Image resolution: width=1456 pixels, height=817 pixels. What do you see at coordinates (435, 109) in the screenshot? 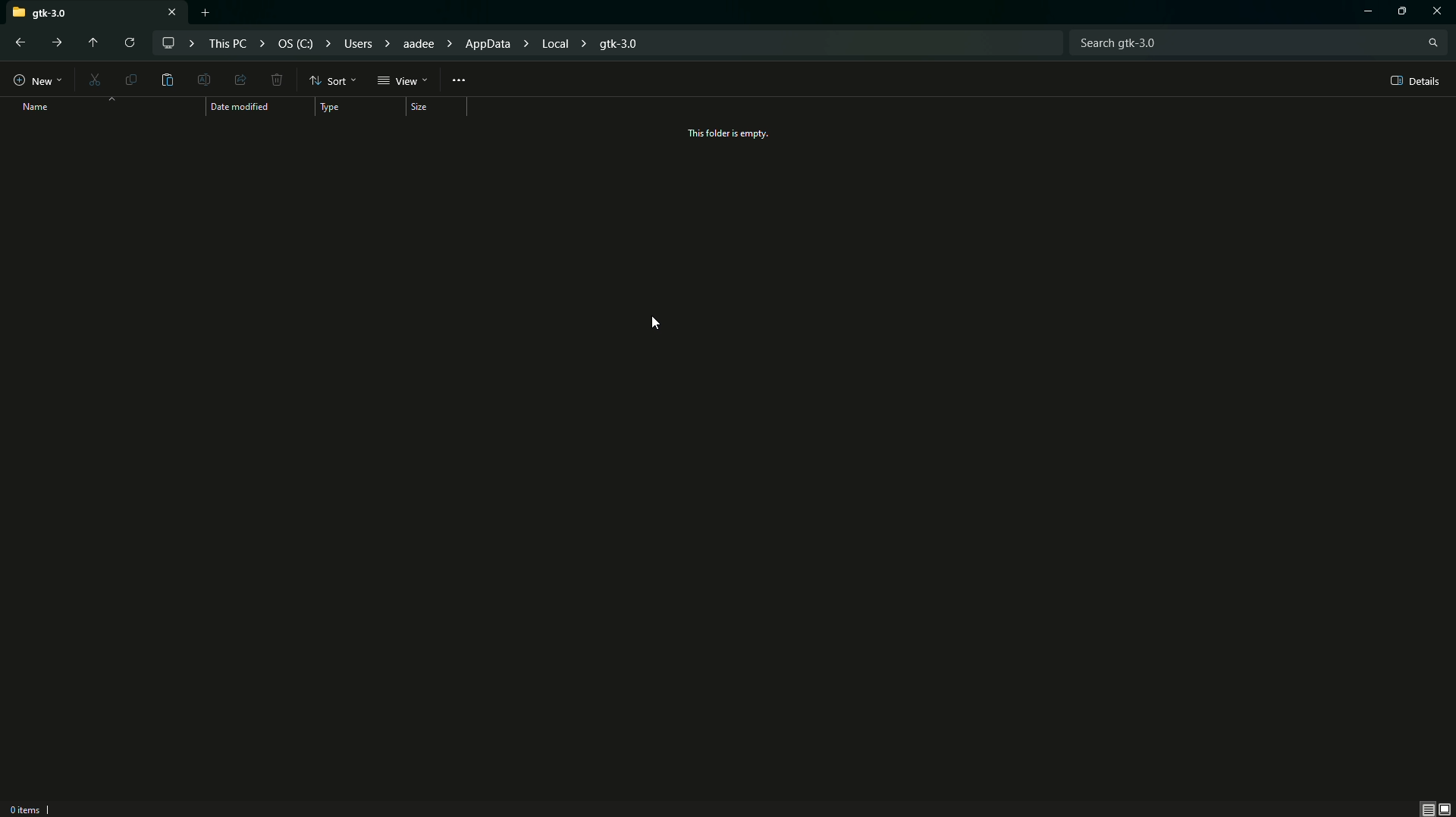
I see `Size` at bounding box center [435, 109].